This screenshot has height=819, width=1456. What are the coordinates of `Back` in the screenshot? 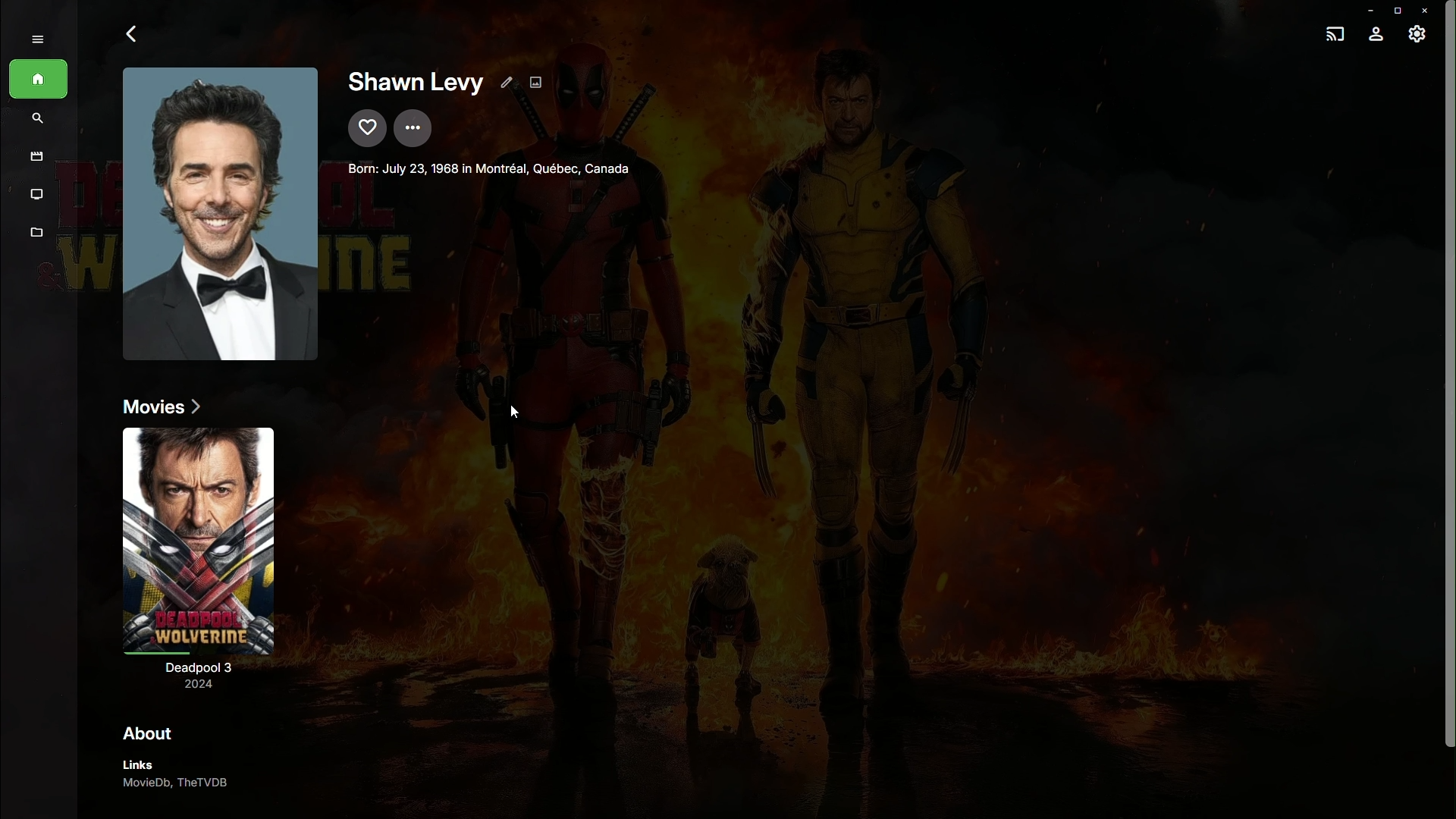 It's located at (129, 36).